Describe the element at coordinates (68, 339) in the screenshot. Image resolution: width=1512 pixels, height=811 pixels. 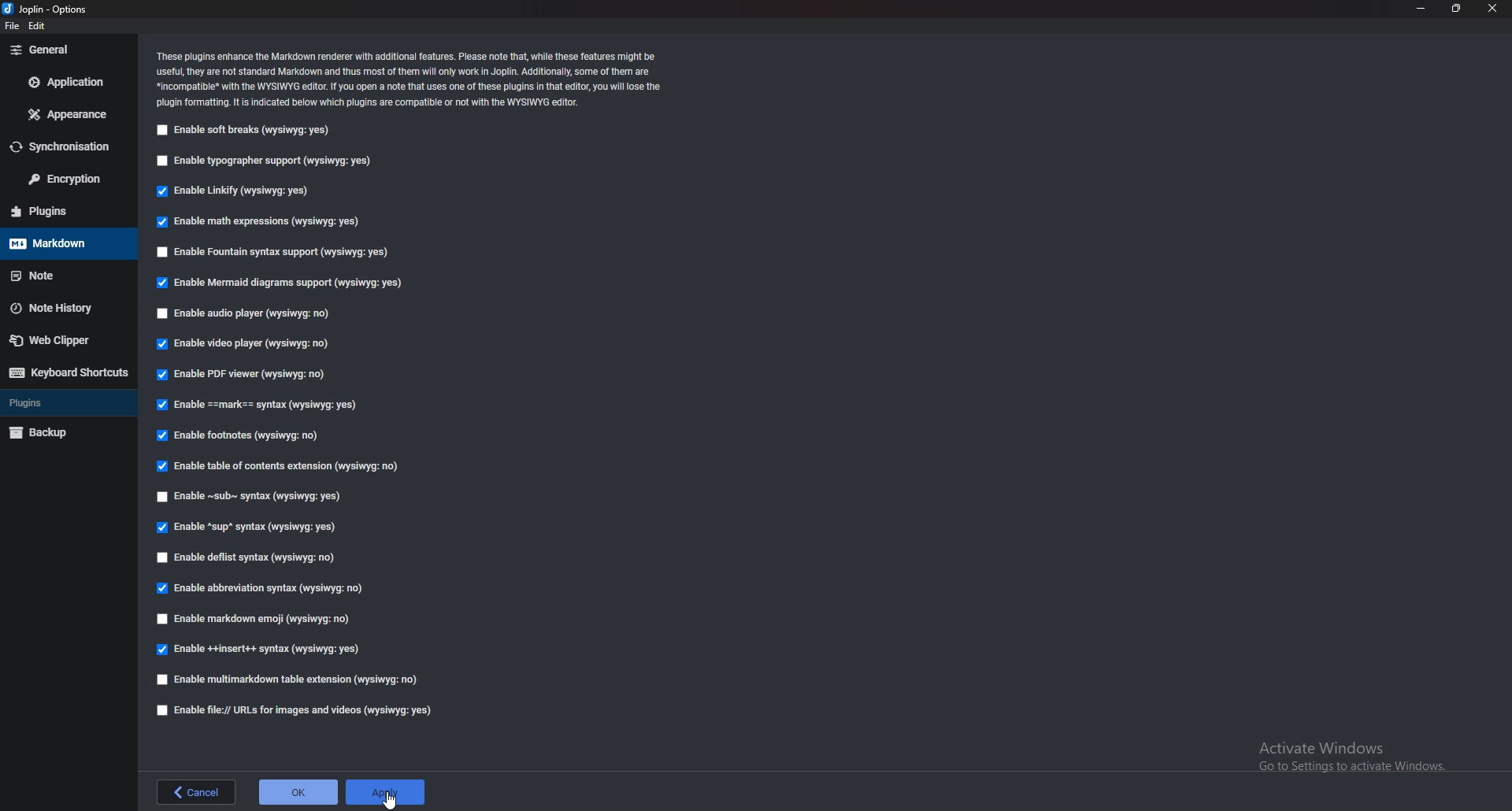
I see `Web Clipper` at that location.